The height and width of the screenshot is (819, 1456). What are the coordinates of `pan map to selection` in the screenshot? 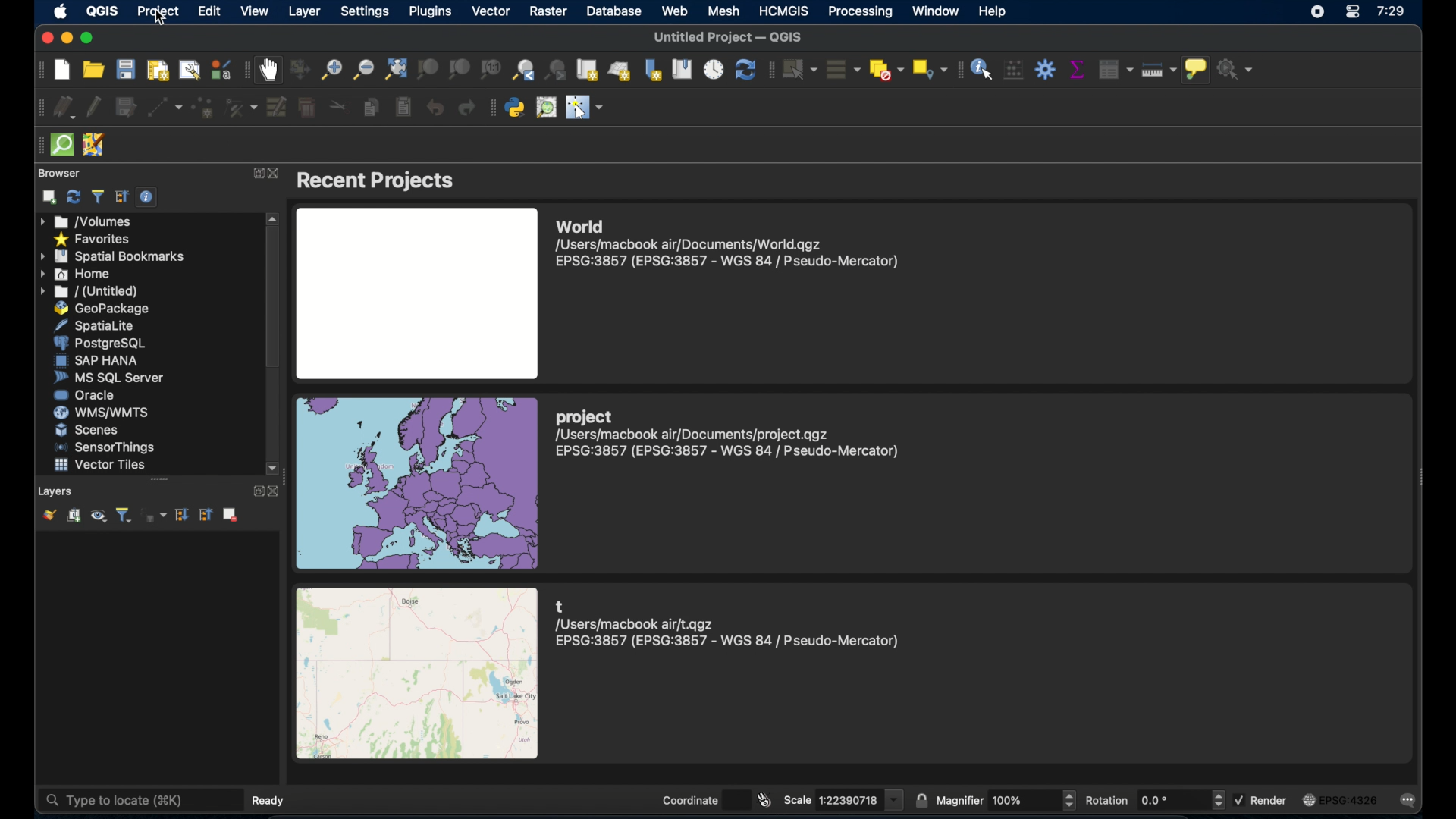 It's located at (298, 69).